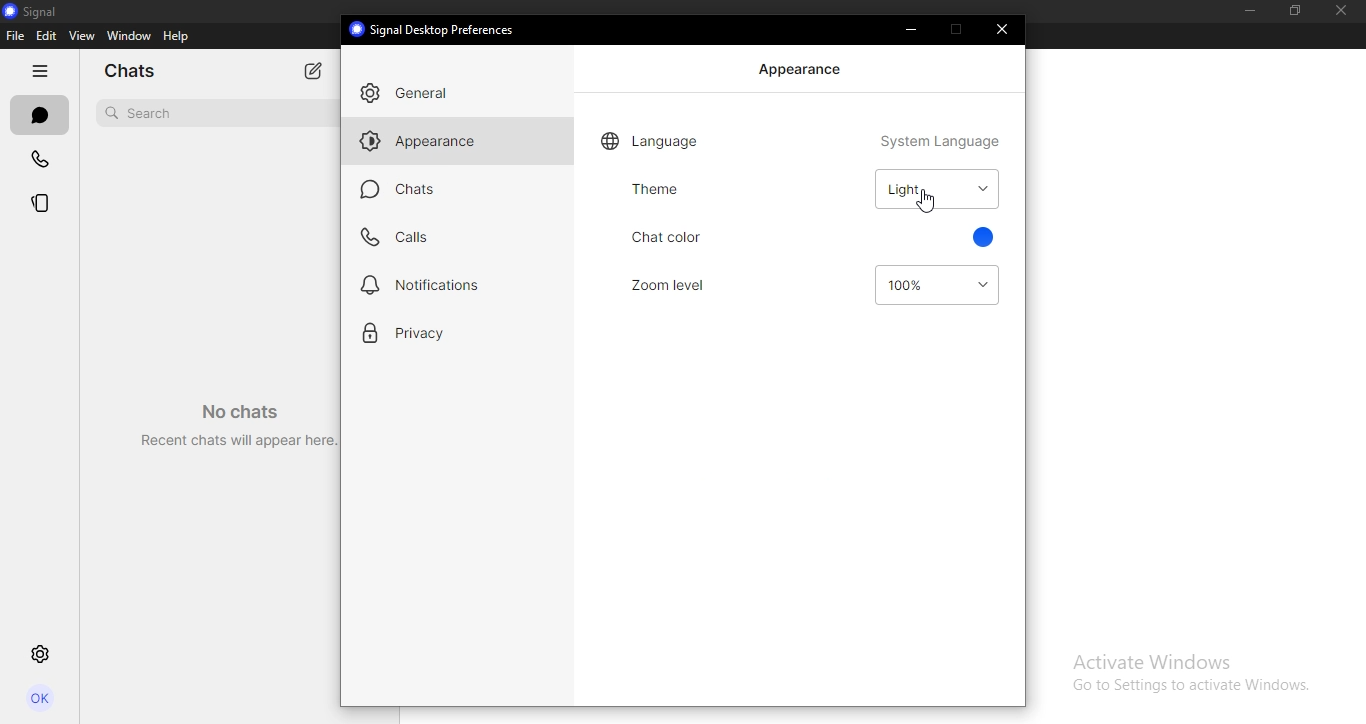 The width and height of the screenshot is (1366, 724). Describe the element at coordinates (936, 285) in the screenshot. I see `100%` at that location.